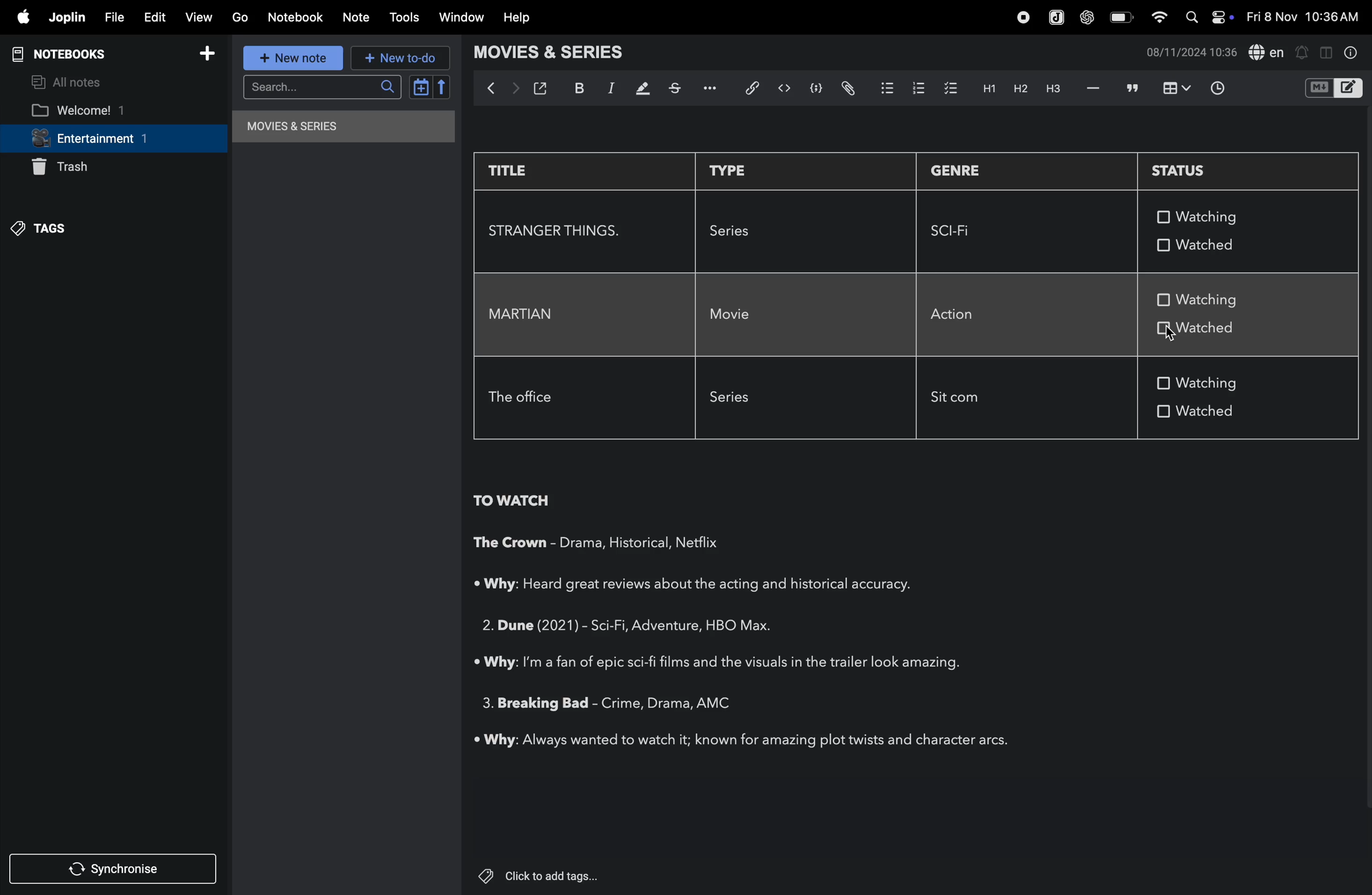 The image size is (1372, 895). I want to click on entertainment, so click(110, 140).